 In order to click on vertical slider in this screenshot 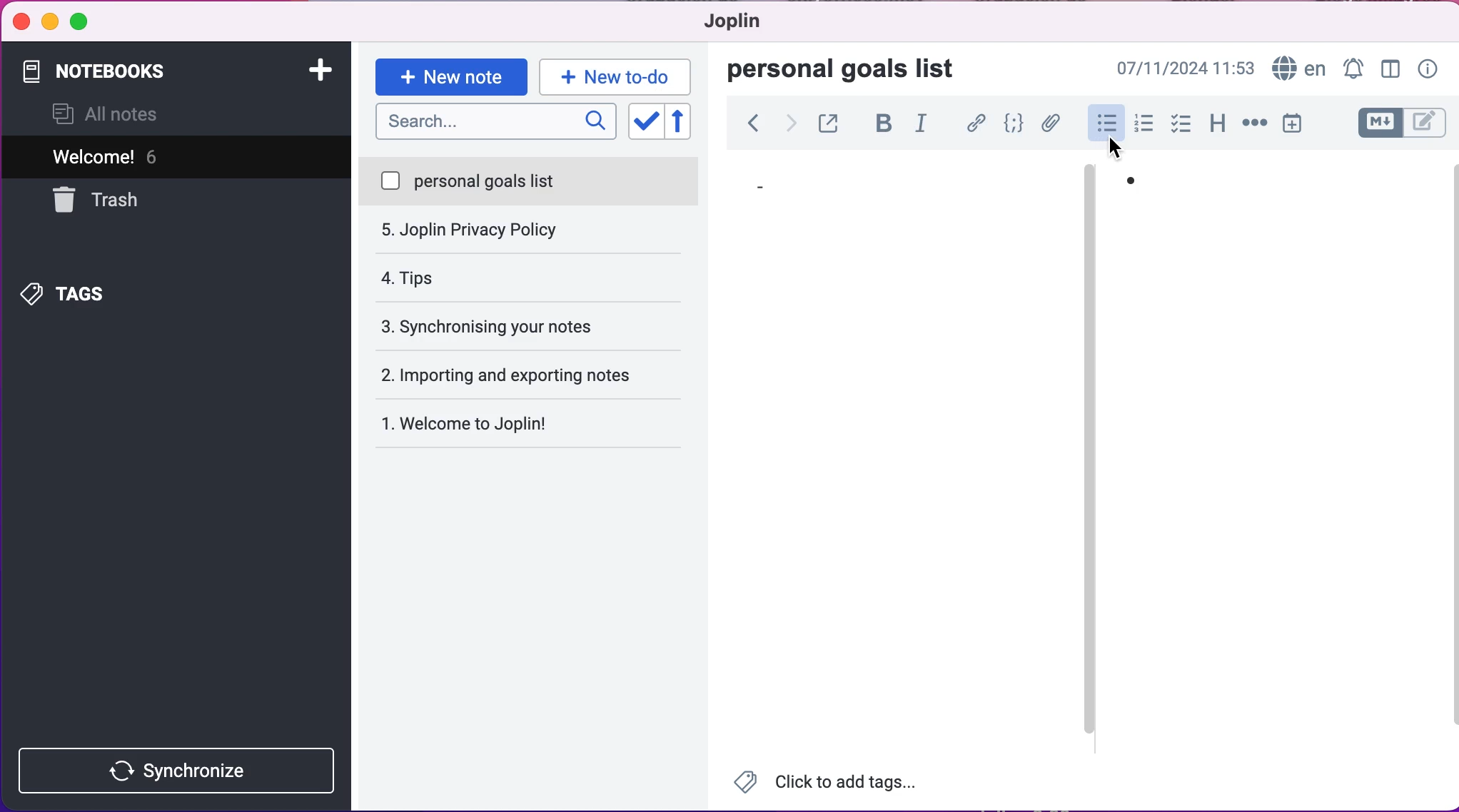, I will do `click(1089, 210)`.